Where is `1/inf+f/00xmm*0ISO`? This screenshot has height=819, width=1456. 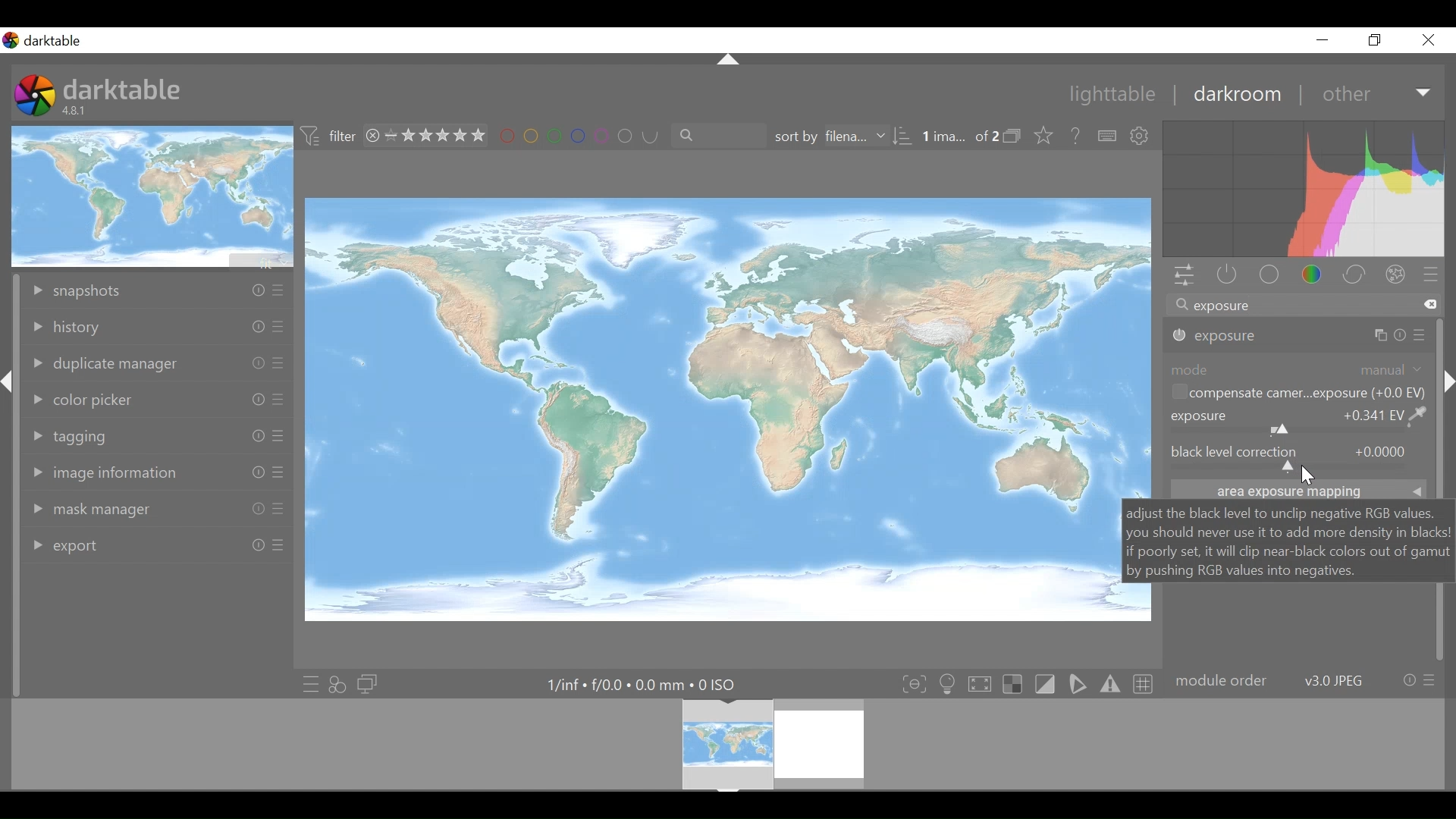 1/inf+f/00xmm*0ISO is located at coordinates (639, 685).